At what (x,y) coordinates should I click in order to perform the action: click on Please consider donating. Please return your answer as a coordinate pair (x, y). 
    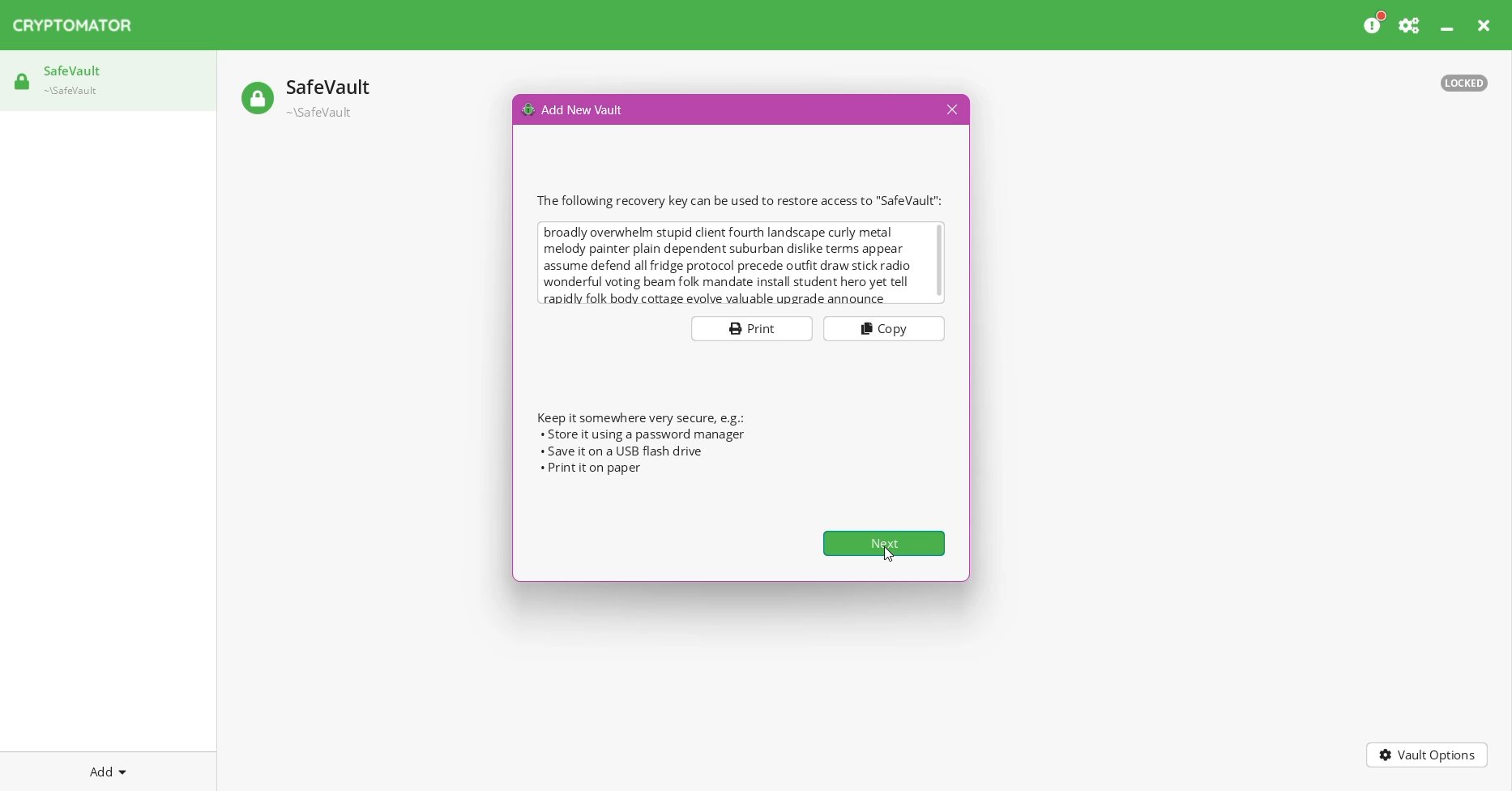
    Looking at the image, I should click on (1375, 24).